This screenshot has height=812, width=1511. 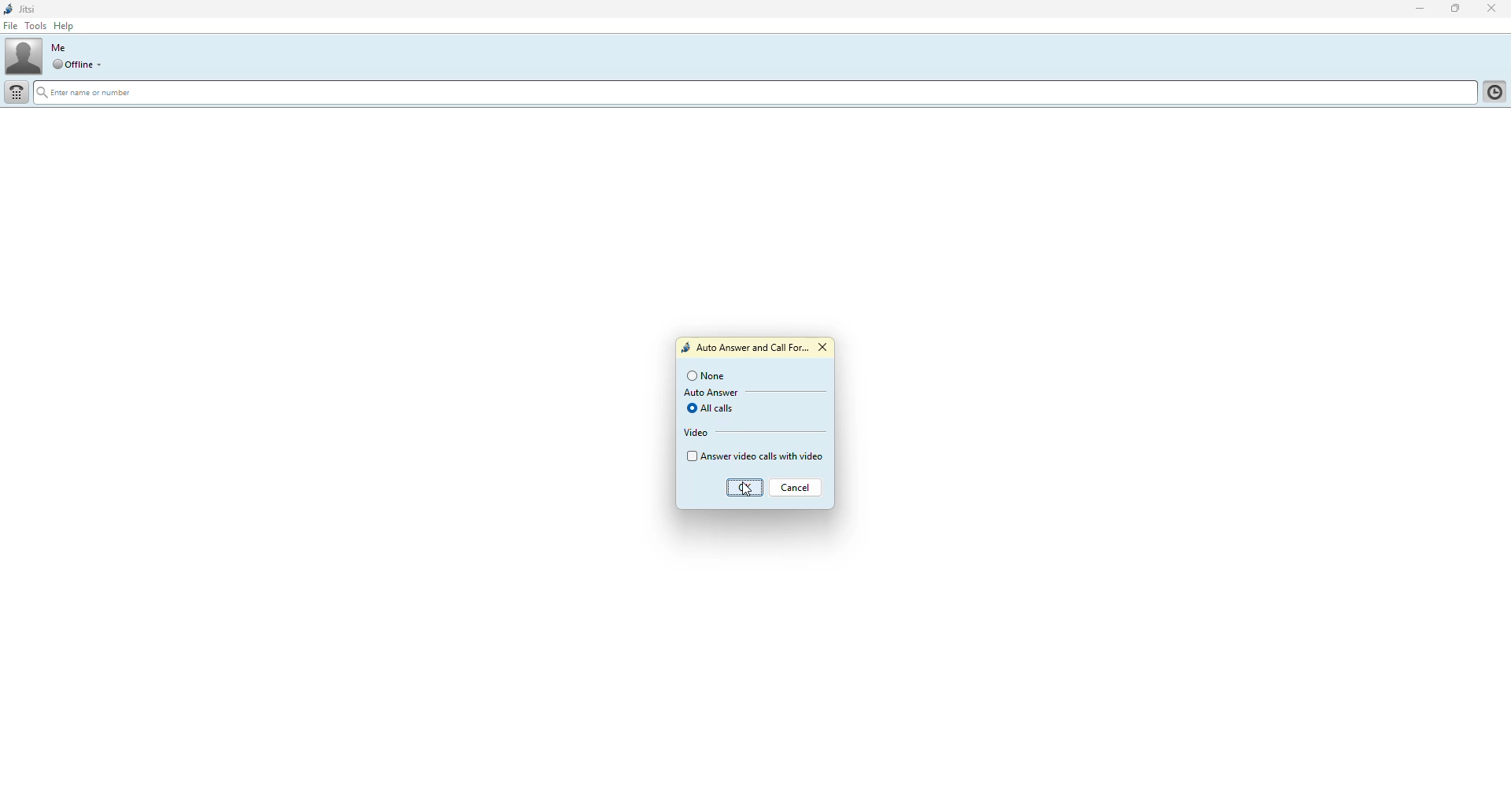 What do you see at coordinates (17, 93) in the screenshot?
I see `dial pad` at bounding box center [17, 93].